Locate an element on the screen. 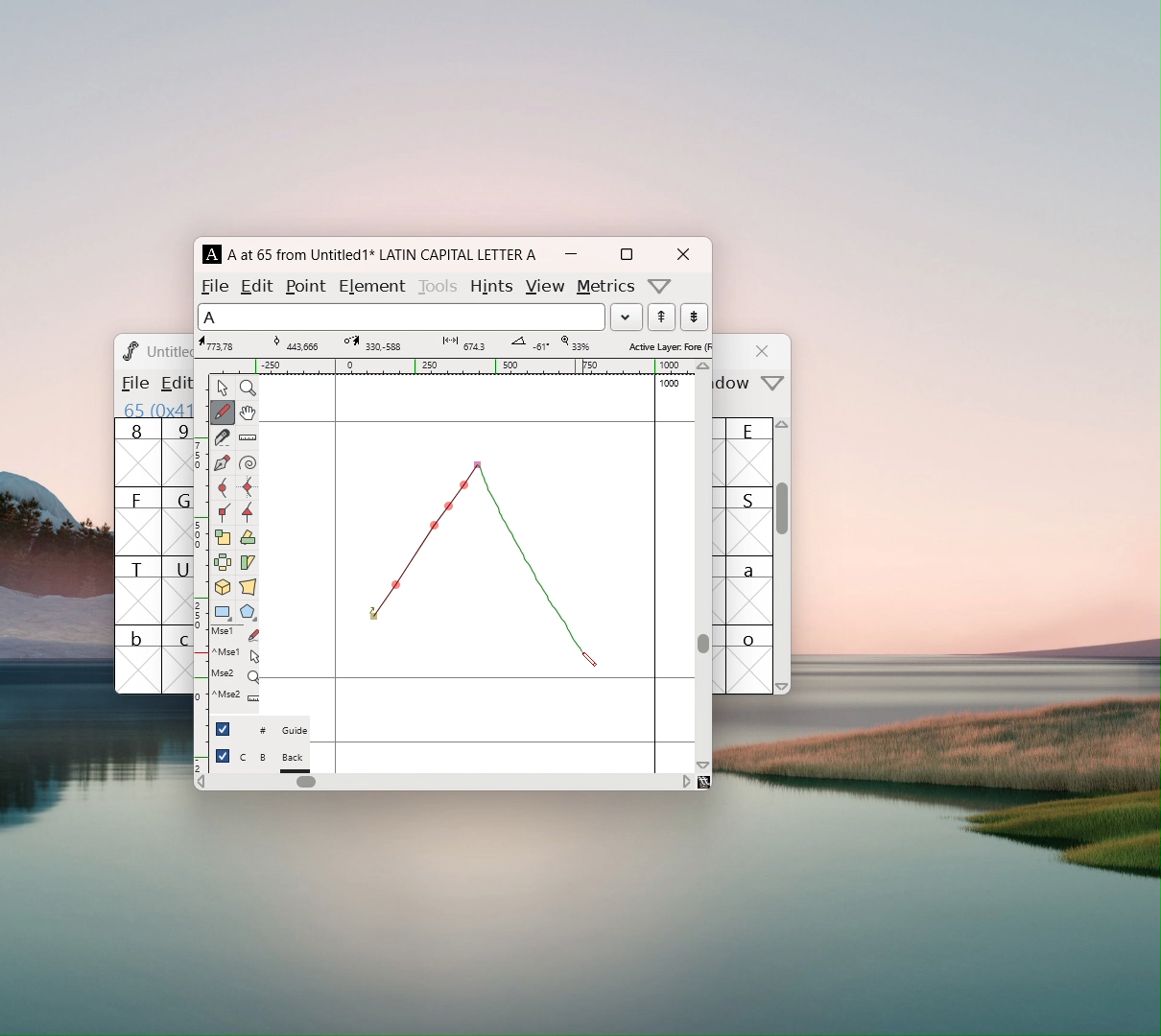 Image resolution: width=1161 pixels, height=1036 pixels. scrollbar is located at coordinates (783, 518).